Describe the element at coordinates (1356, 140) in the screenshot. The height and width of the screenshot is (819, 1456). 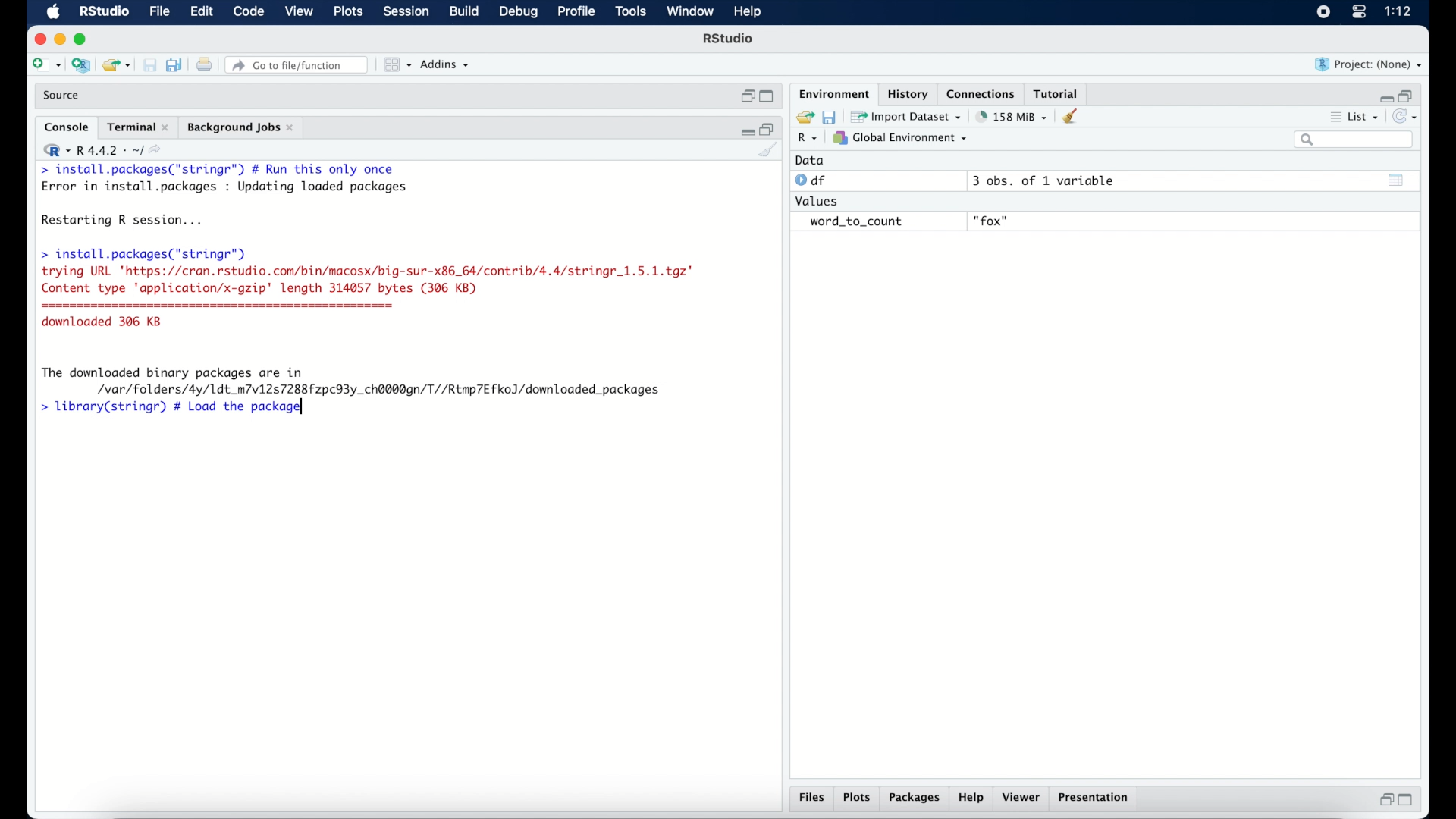
I see `search bar` at that location.